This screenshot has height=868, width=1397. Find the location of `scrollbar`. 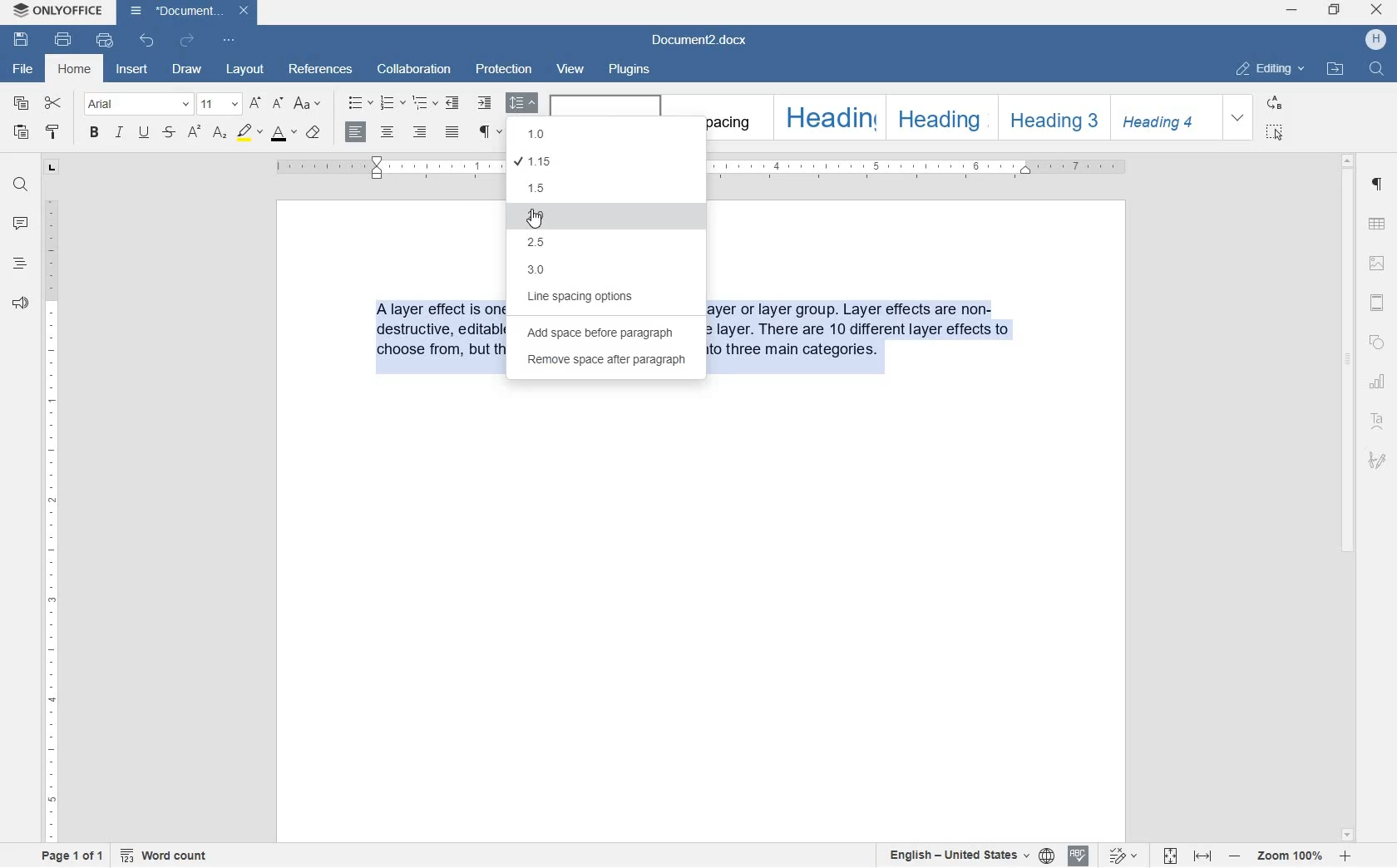

scrollbar is located at coordinates (1350, 496).